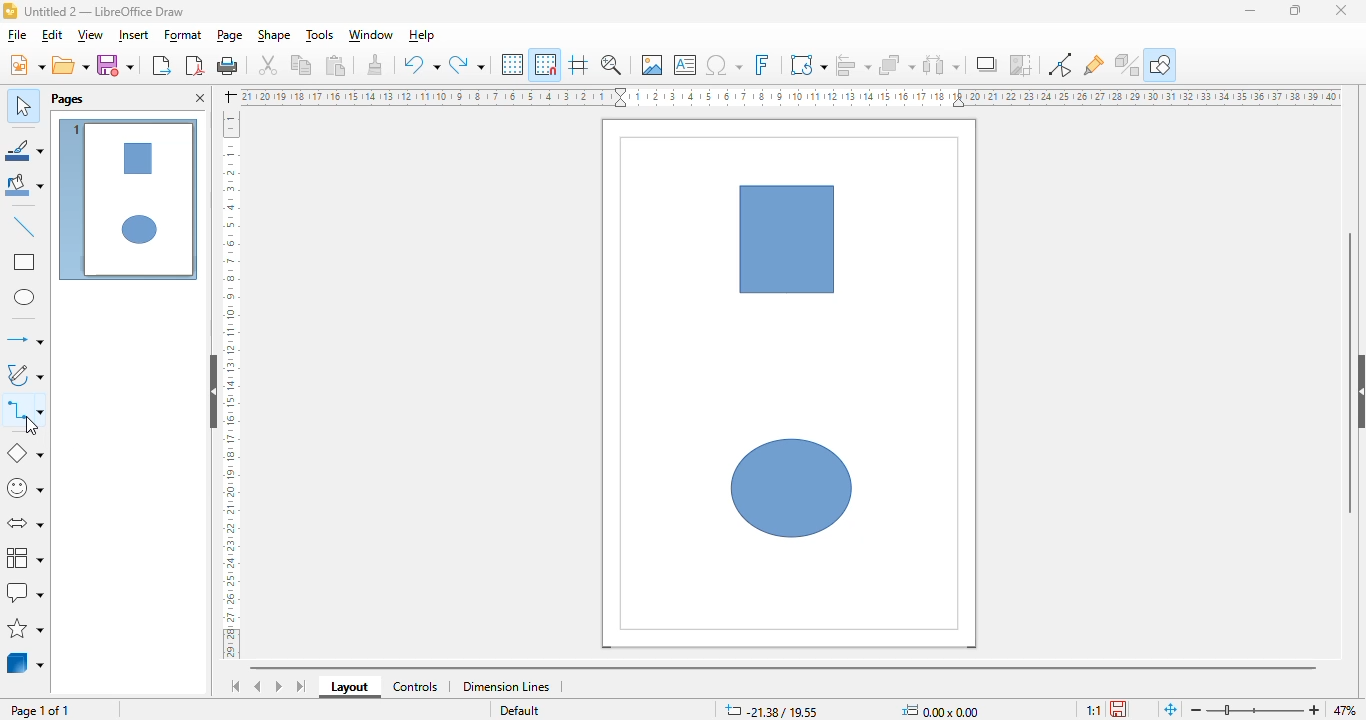 Image resolution: width=1366 pixels, height=720 pixels. Describe the element at coordinates (416, 687) in the screenshot. I see `controls` at that location.